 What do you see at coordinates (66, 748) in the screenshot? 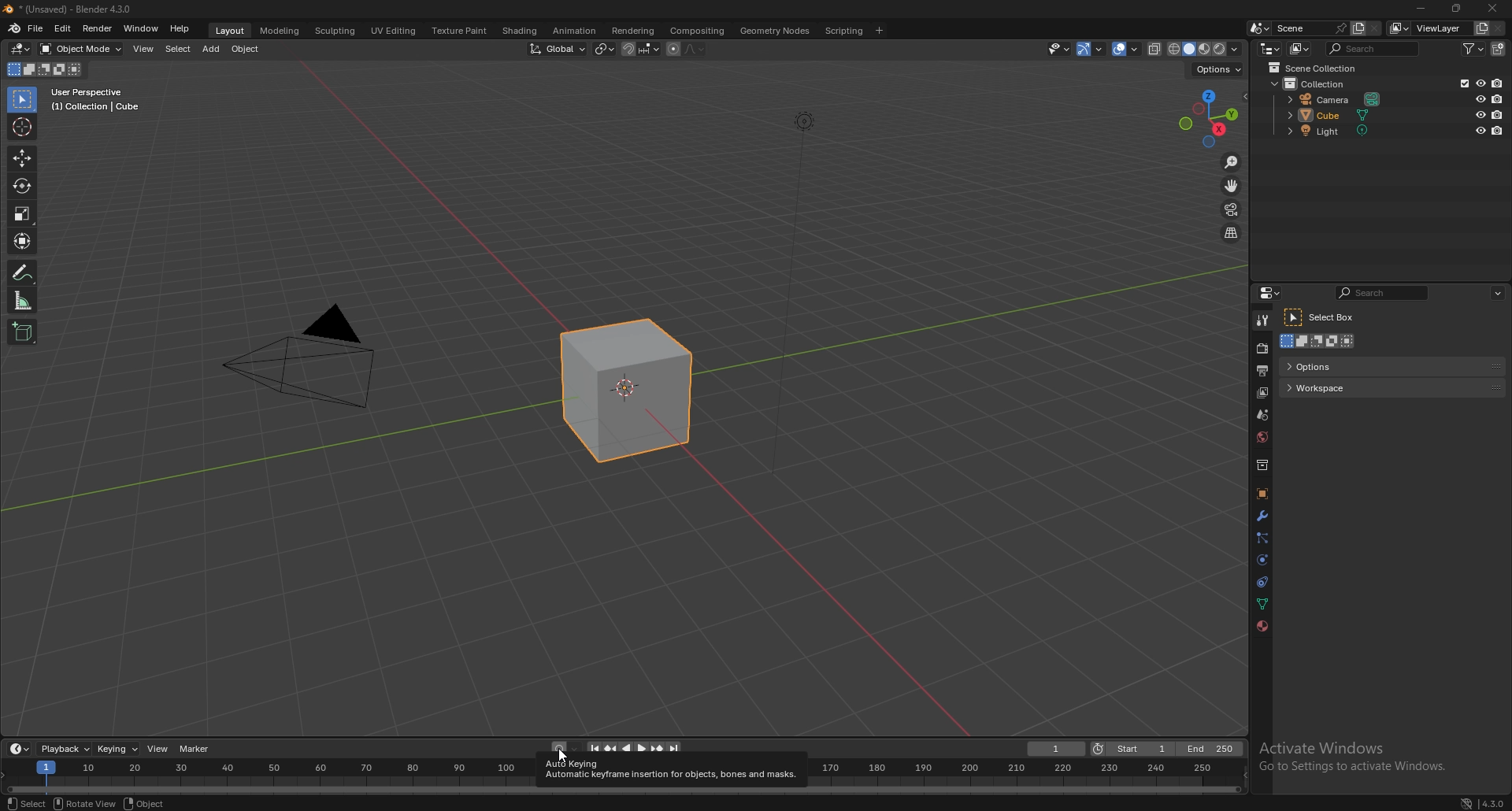
I see `playback` at bounding box center [66, 748].